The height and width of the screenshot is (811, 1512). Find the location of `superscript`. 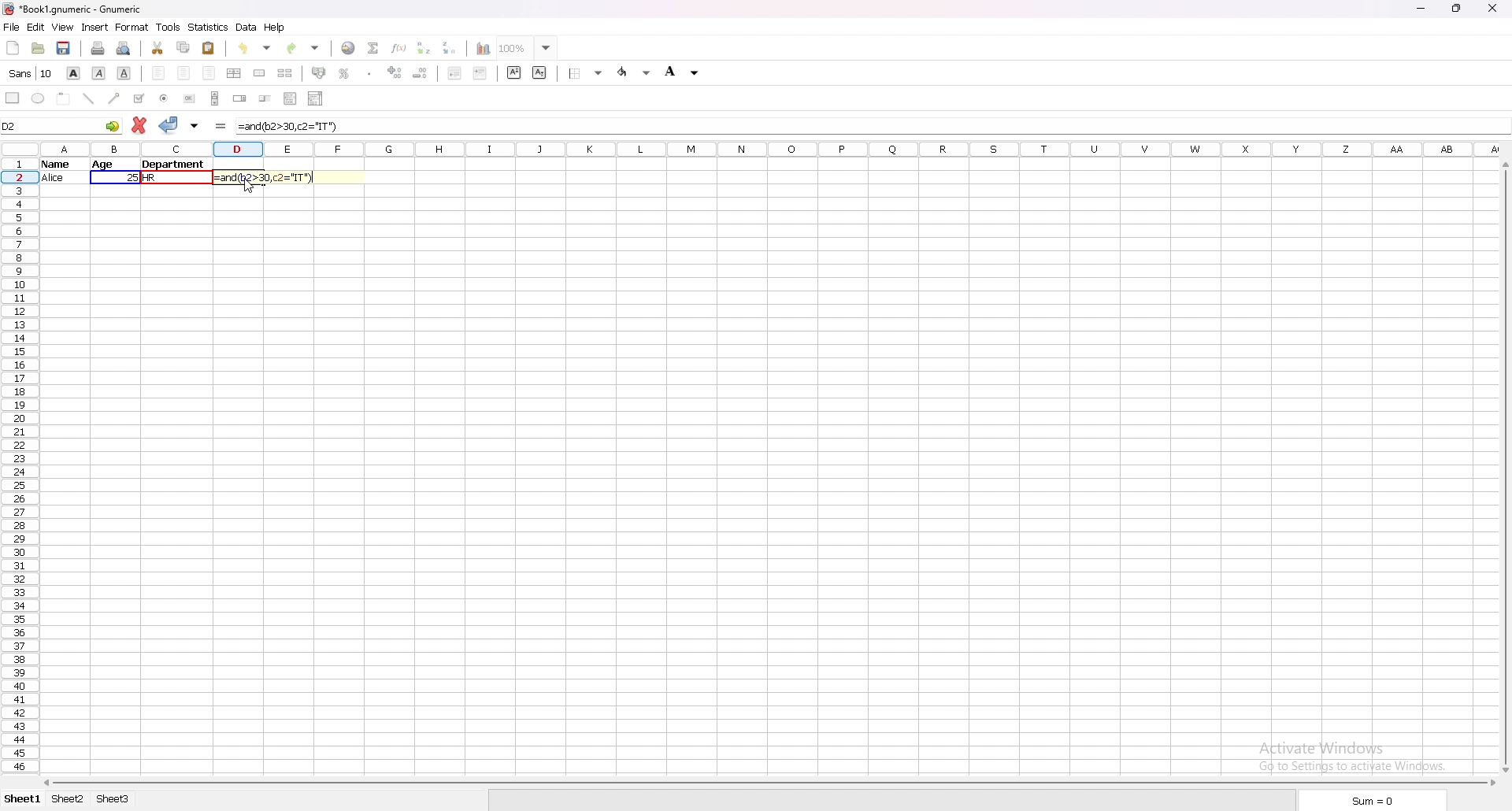

superscript is located at coordinates (514, 72).